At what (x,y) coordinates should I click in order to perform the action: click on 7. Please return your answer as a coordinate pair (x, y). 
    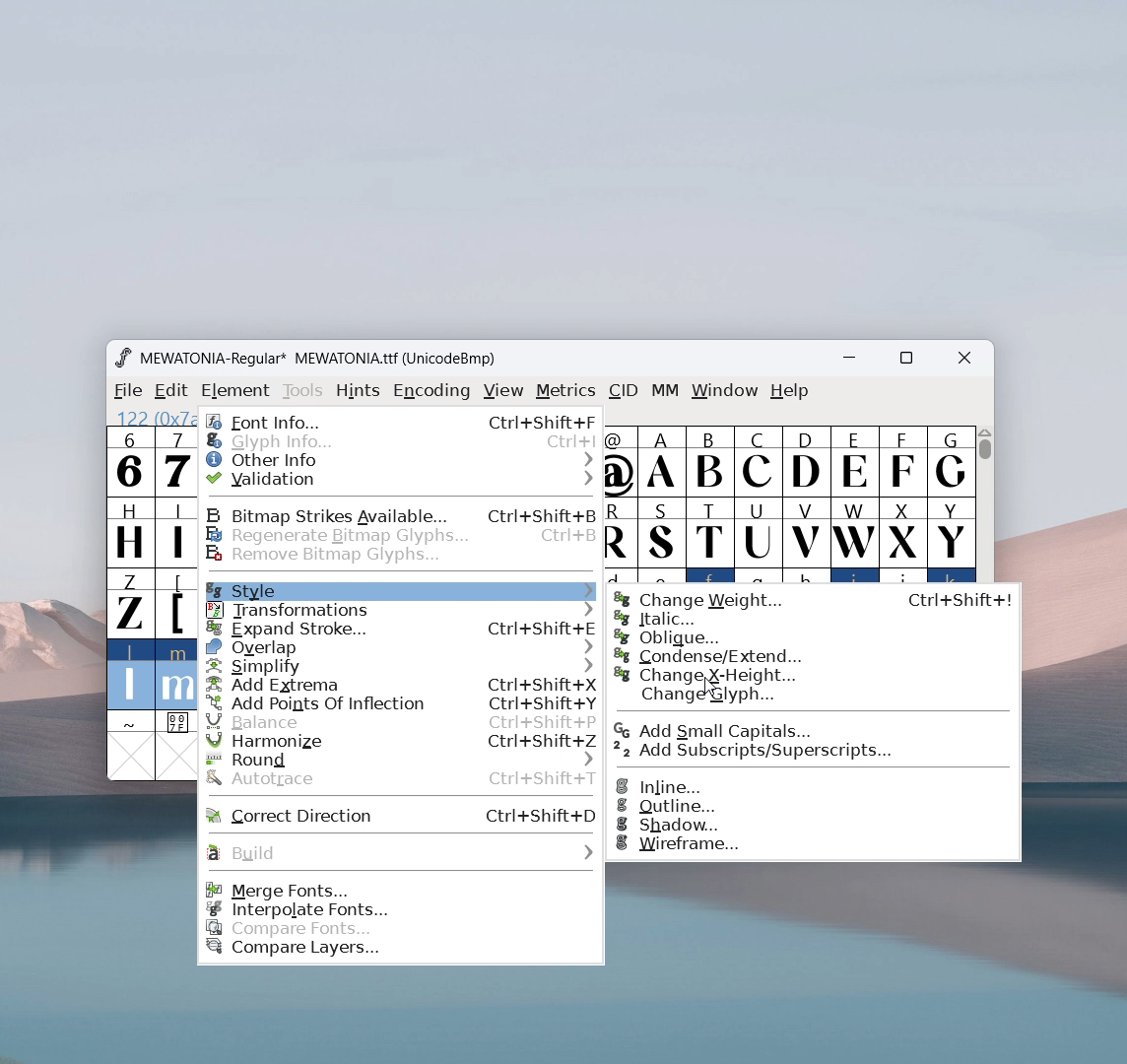
    Looking at the image, I should click on (175, 461).